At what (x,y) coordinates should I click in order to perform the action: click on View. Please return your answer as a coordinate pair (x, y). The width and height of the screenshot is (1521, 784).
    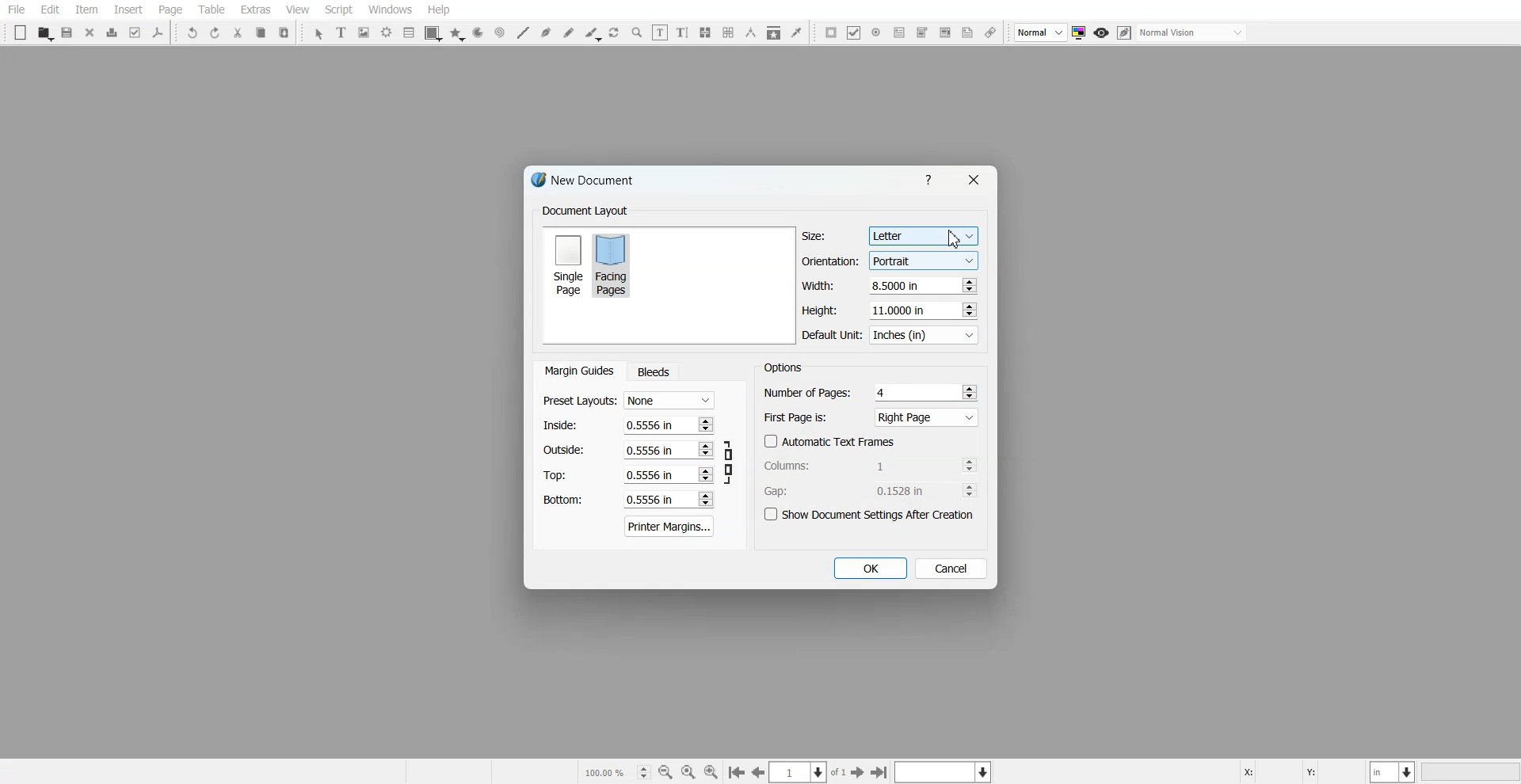
    Looking at the image, I should click on (297, 10).